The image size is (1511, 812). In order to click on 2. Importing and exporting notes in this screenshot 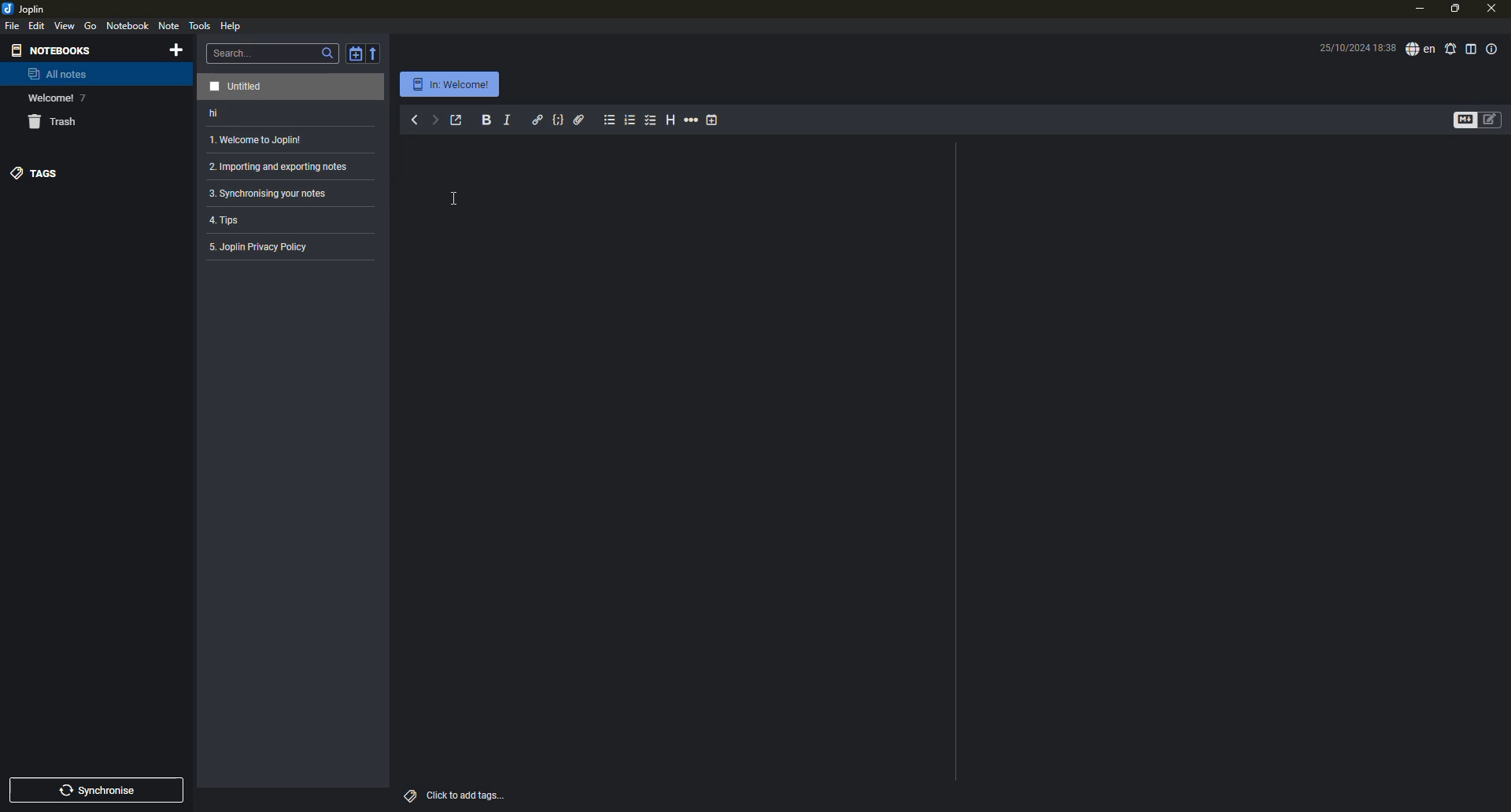, I will do `click(277, 166)`.